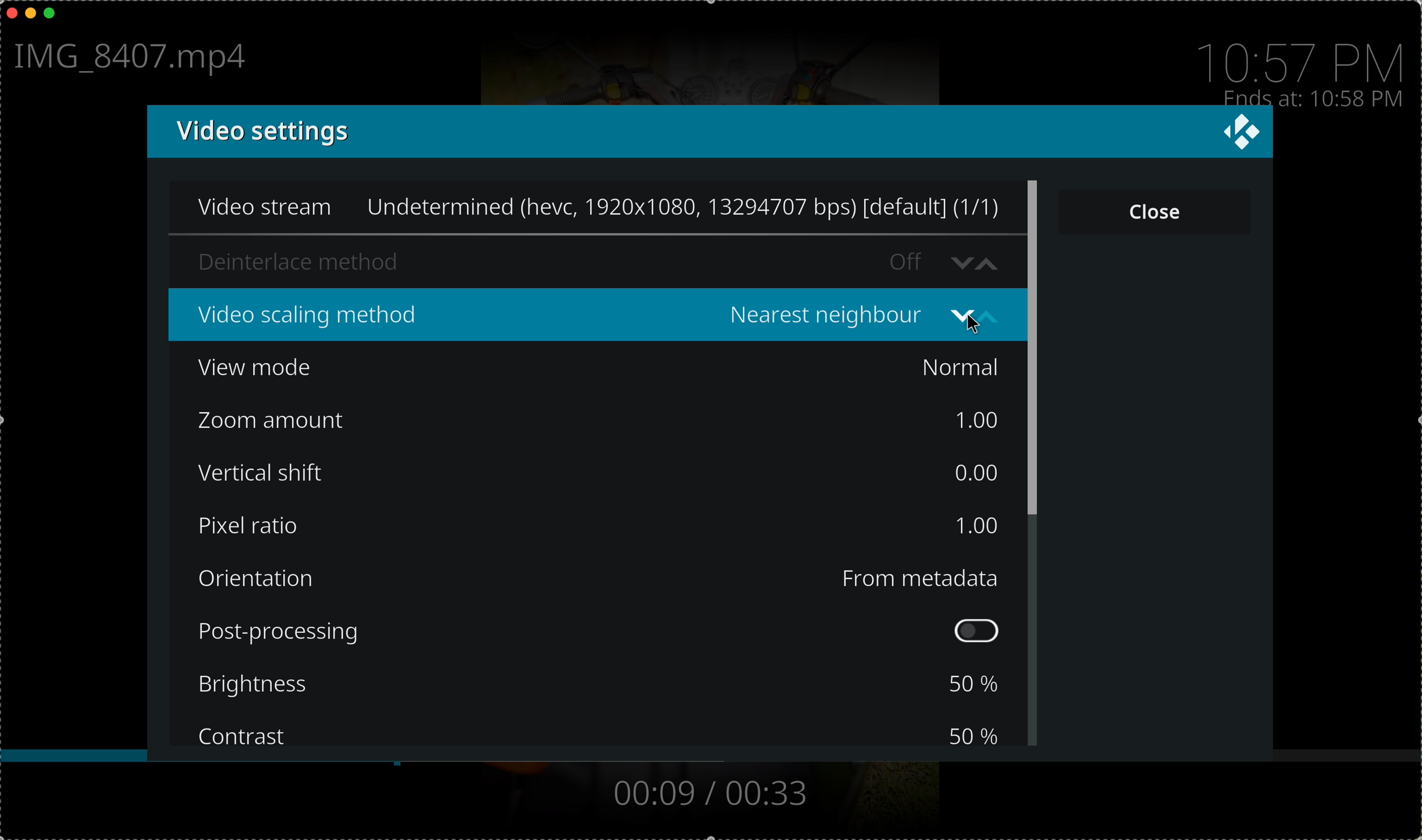 This screenshot has width=1422, height=840. What do you see at coordinates (599, 470) in the screenshot?
I see `vertical shift 0.00` at bounding box center [599, 470].